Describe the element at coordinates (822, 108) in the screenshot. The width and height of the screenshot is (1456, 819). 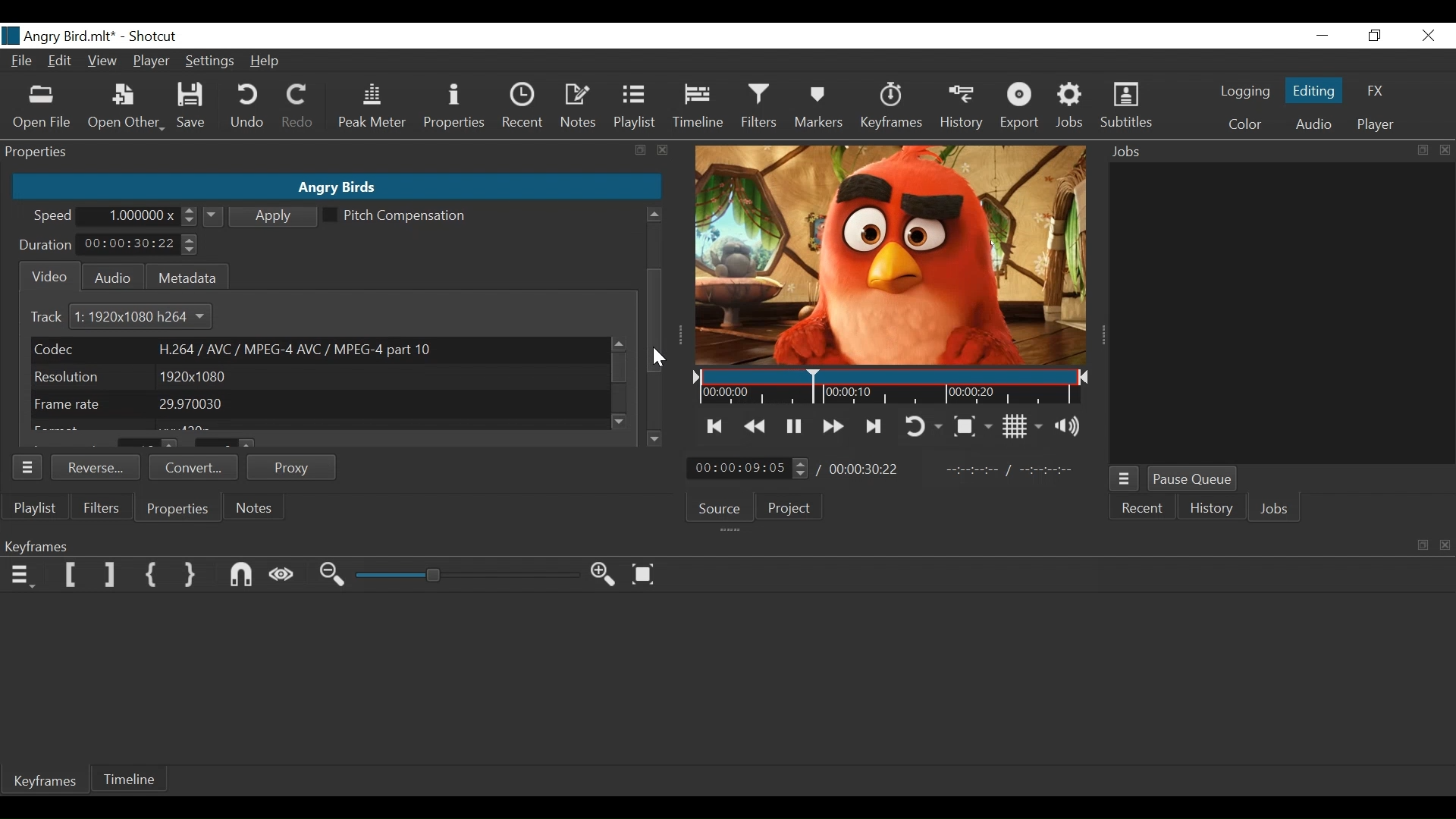
I see `Marker` at that location.